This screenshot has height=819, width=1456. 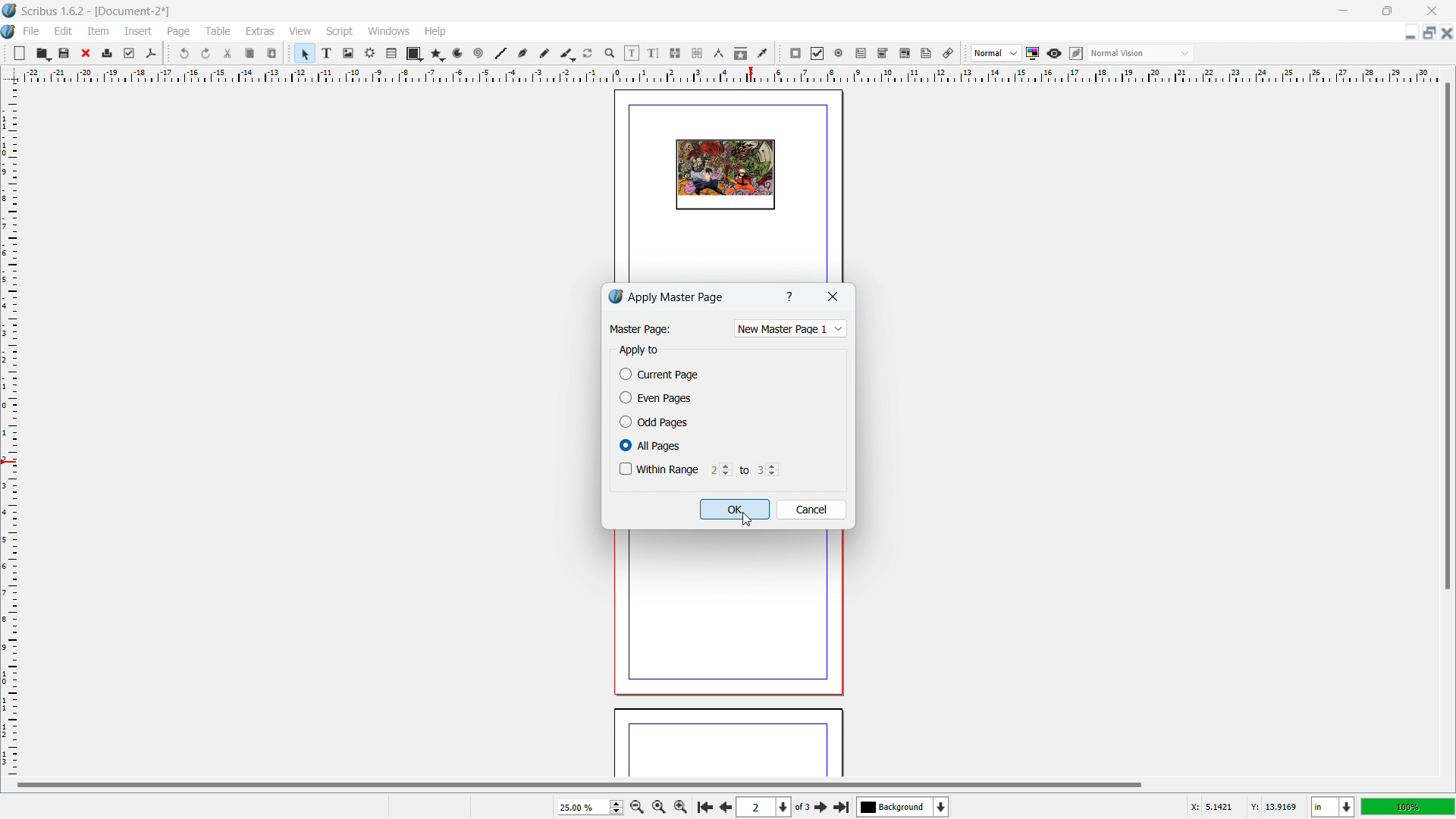 I want to click on preflight checkbox, so click(x=130, y=53).